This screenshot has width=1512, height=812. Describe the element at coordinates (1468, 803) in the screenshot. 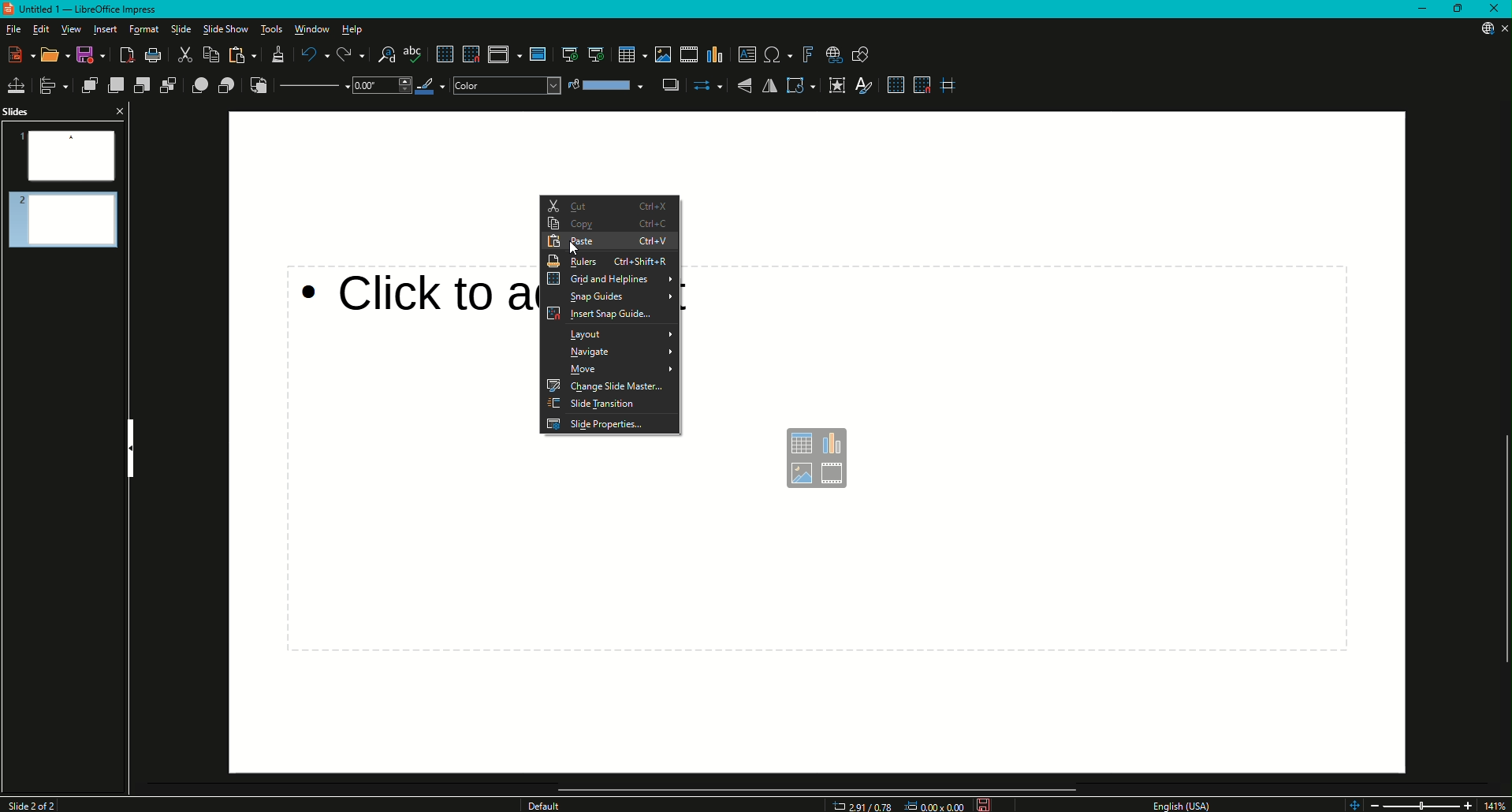

I see `Zoom In` at that location.